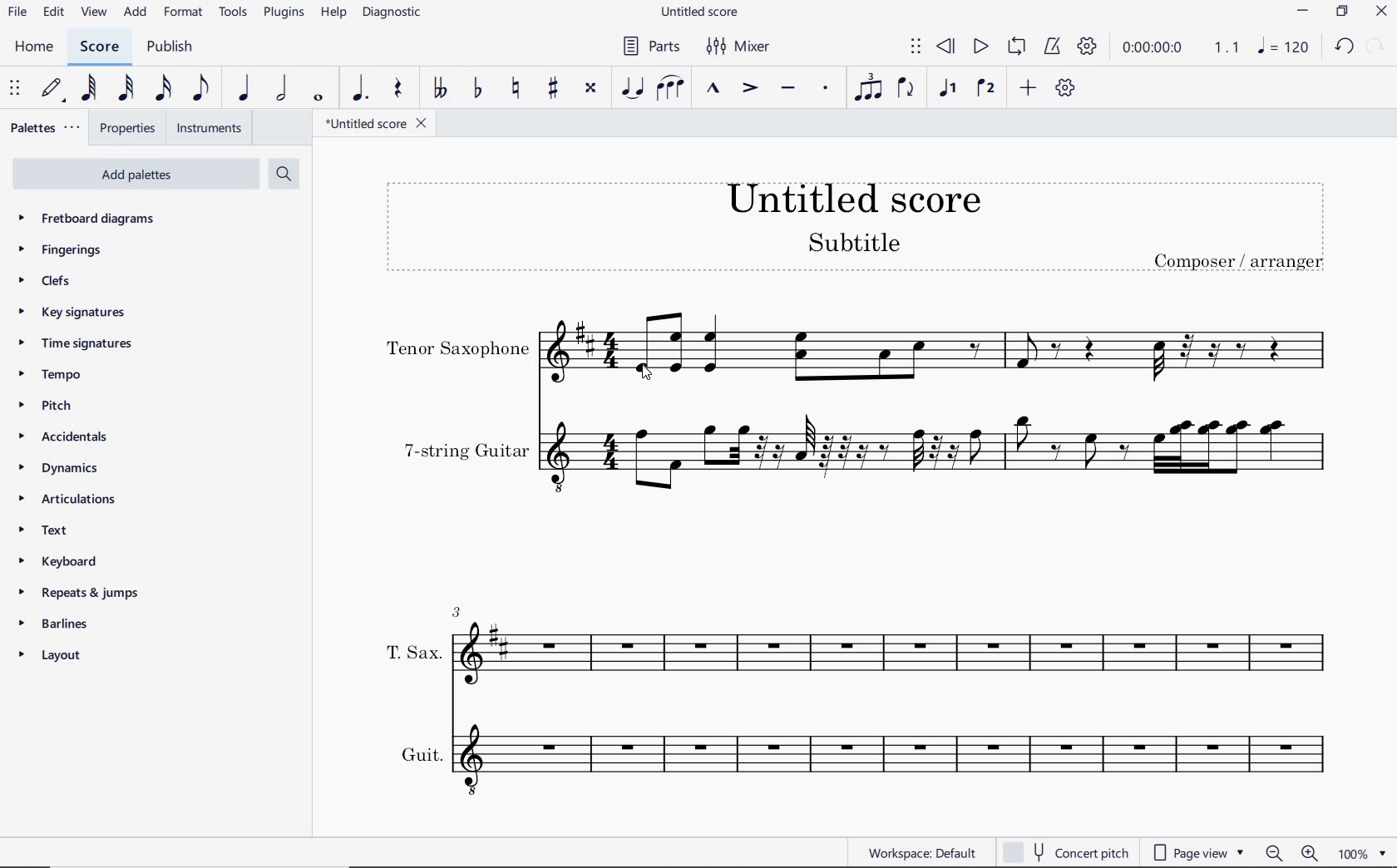  Describe the element at coordinates (866, 88) in the screenshot. I see `TUPLET` at that location.